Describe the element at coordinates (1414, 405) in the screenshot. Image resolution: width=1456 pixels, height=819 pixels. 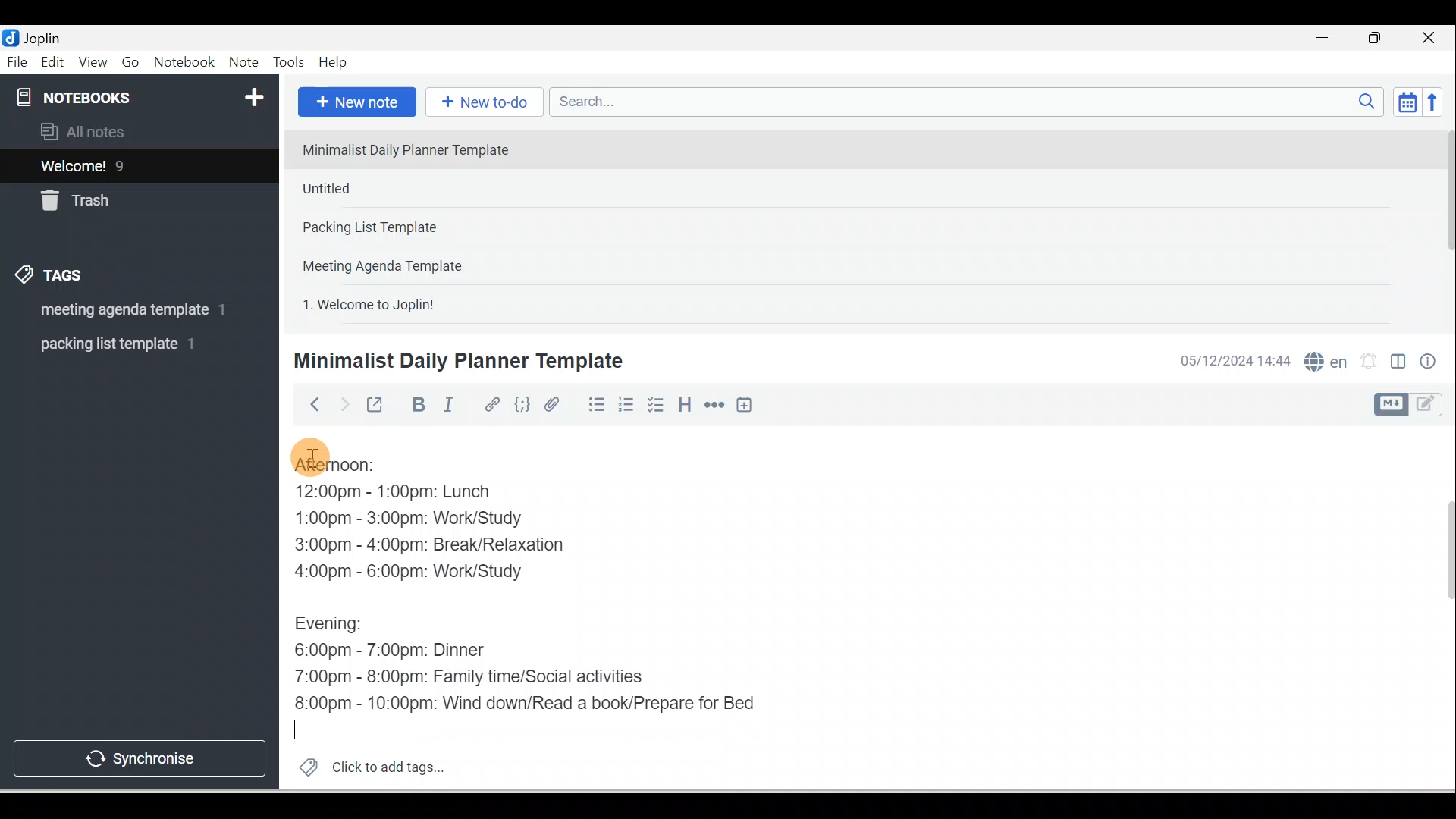
I see `Toggle editor layout` at that location.